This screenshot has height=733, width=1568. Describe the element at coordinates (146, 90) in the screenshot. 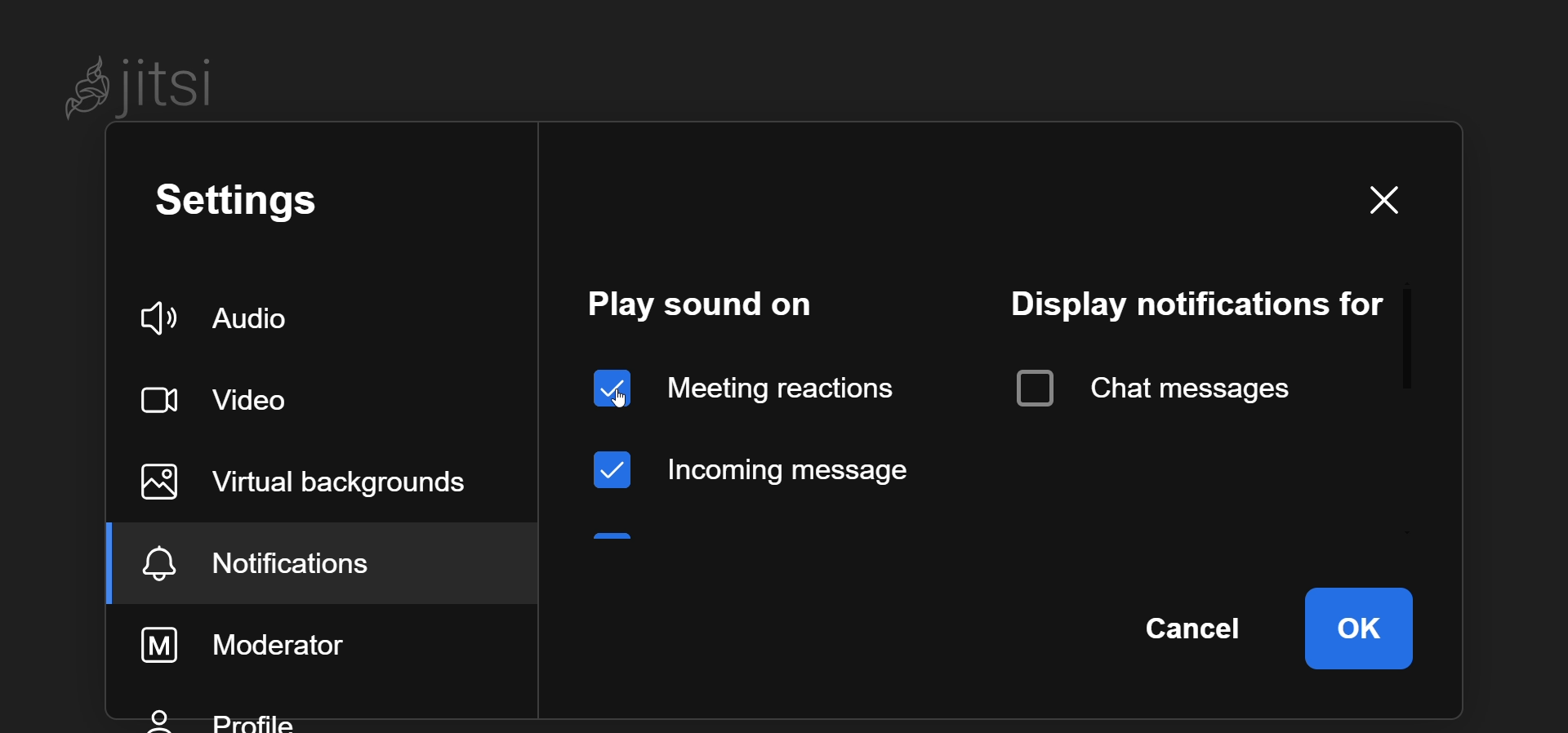

I see `Jitsi` at that location.